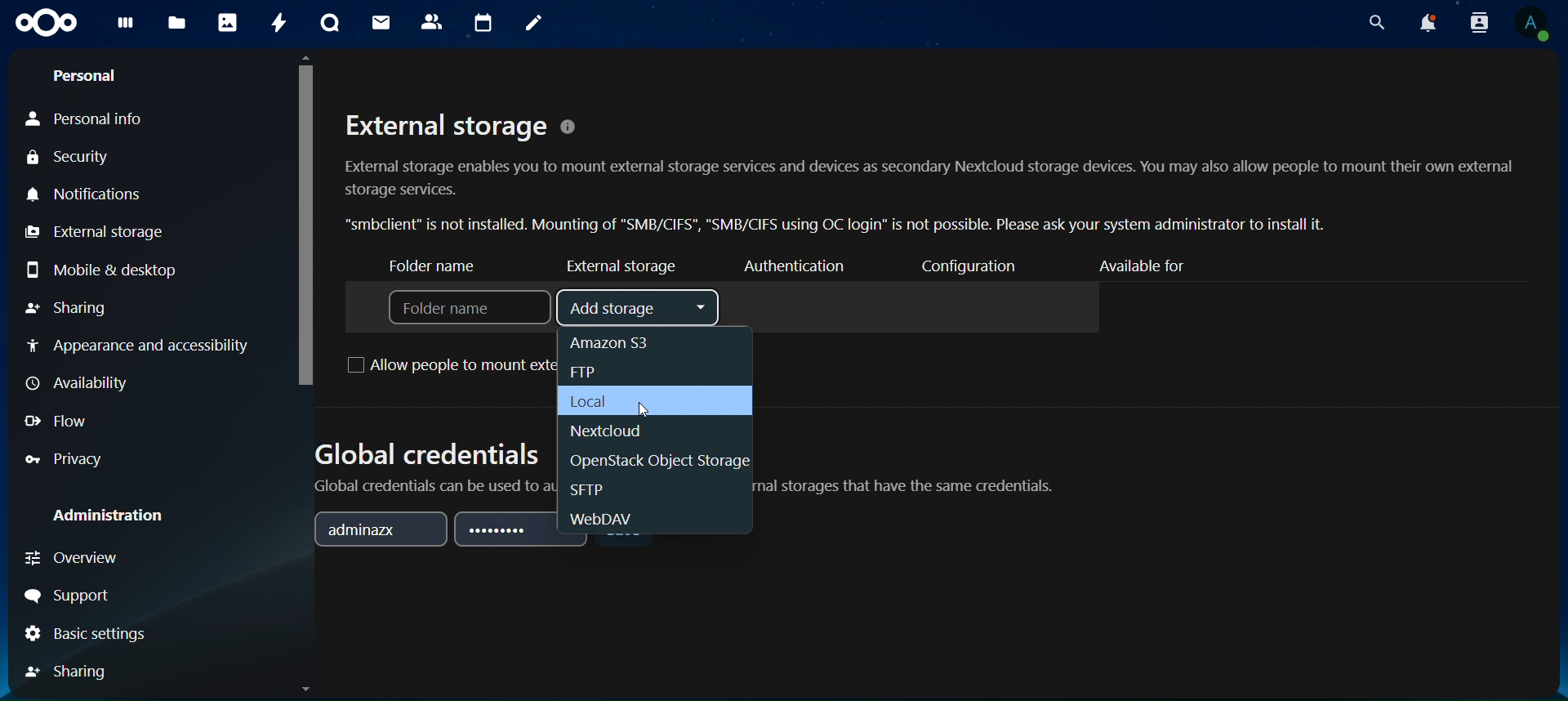 Image resolution: width=1568 pixels, height=701 pixels. I want to click on personal info, so click(90, 115).